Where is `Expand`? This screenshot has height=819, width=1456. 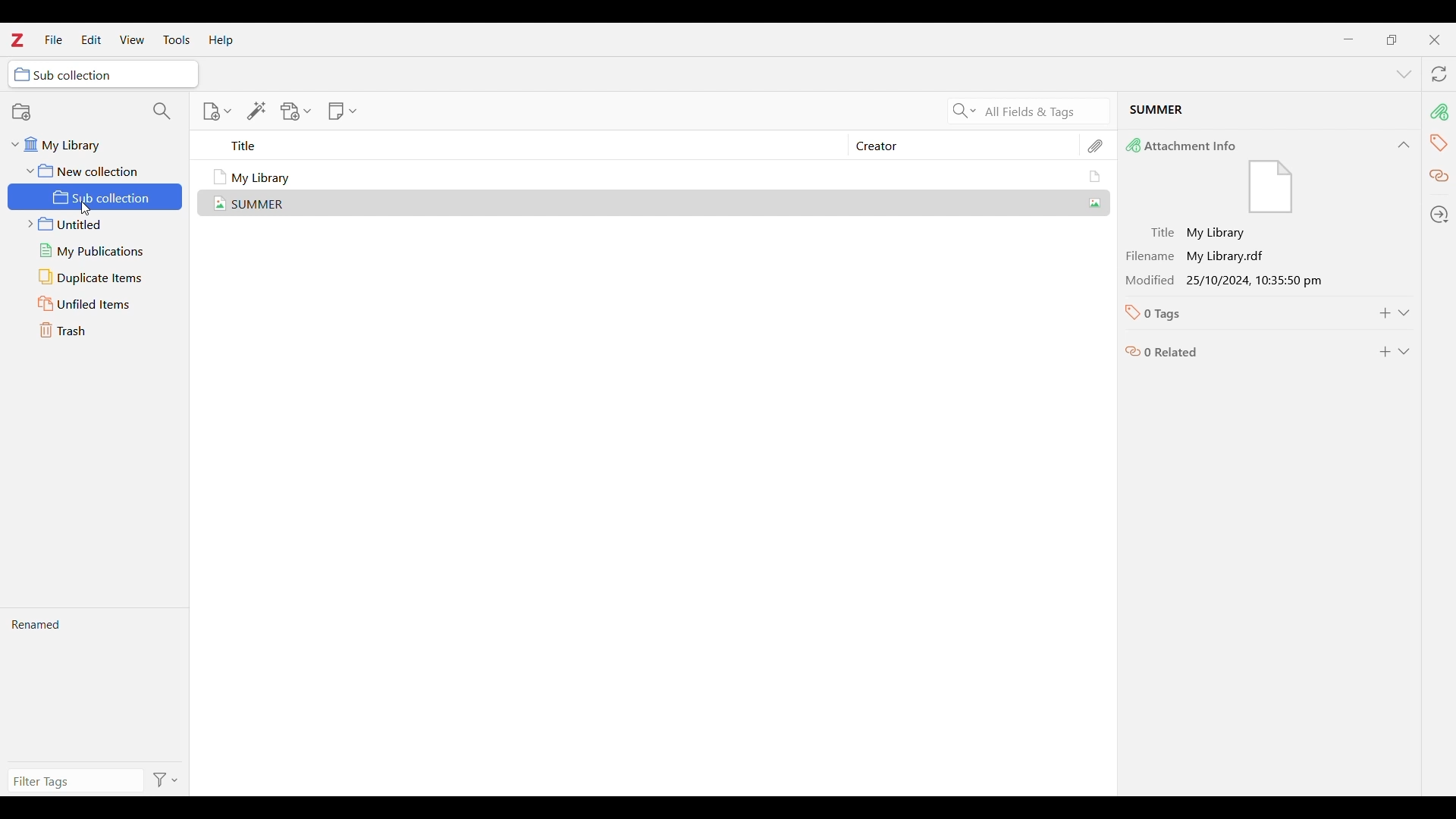 Expand is located at coordinates (1404, 352).